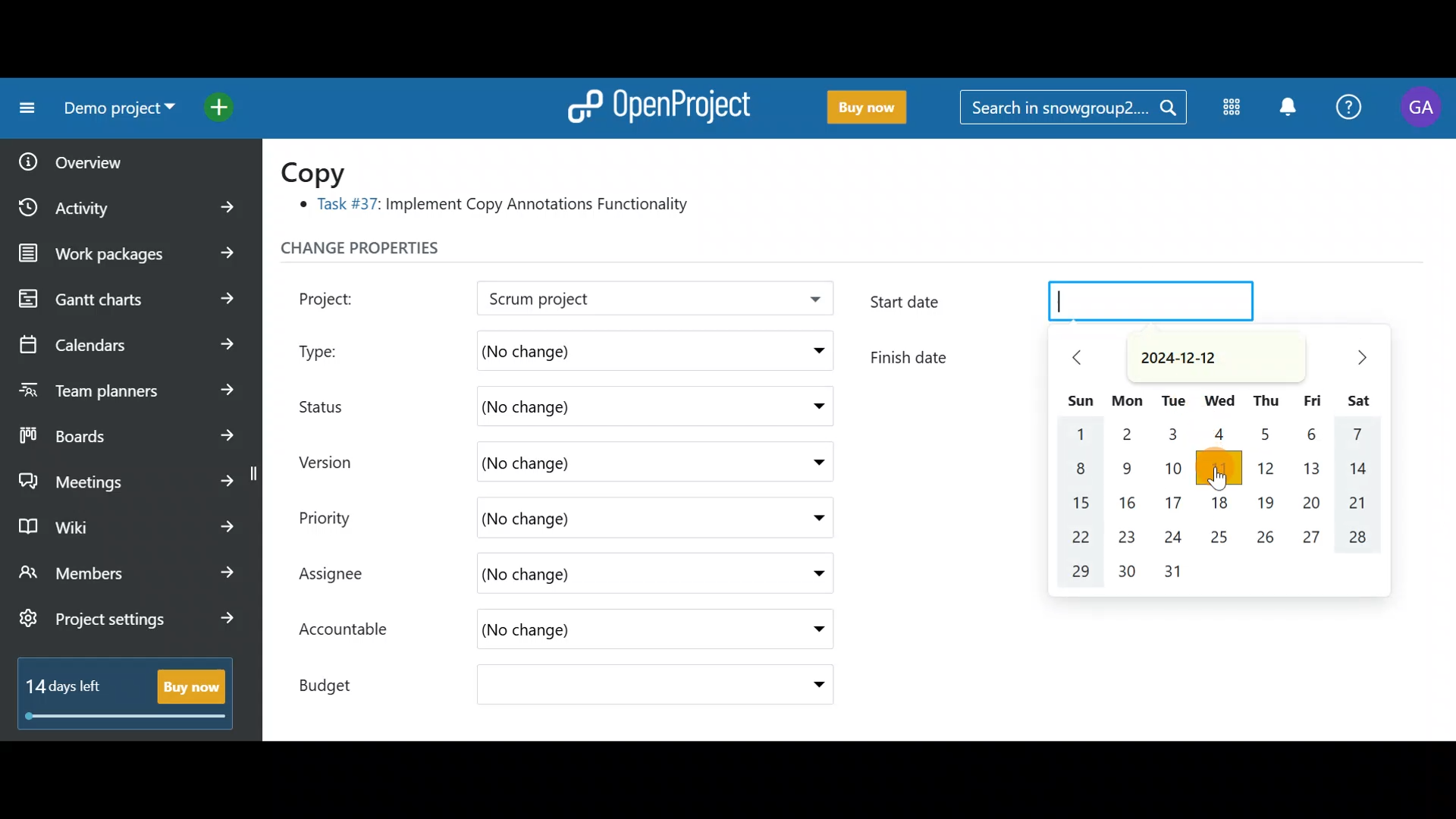 This screenshot has height=819, width=1456. I want to click on Calendars, so click(126, 338).